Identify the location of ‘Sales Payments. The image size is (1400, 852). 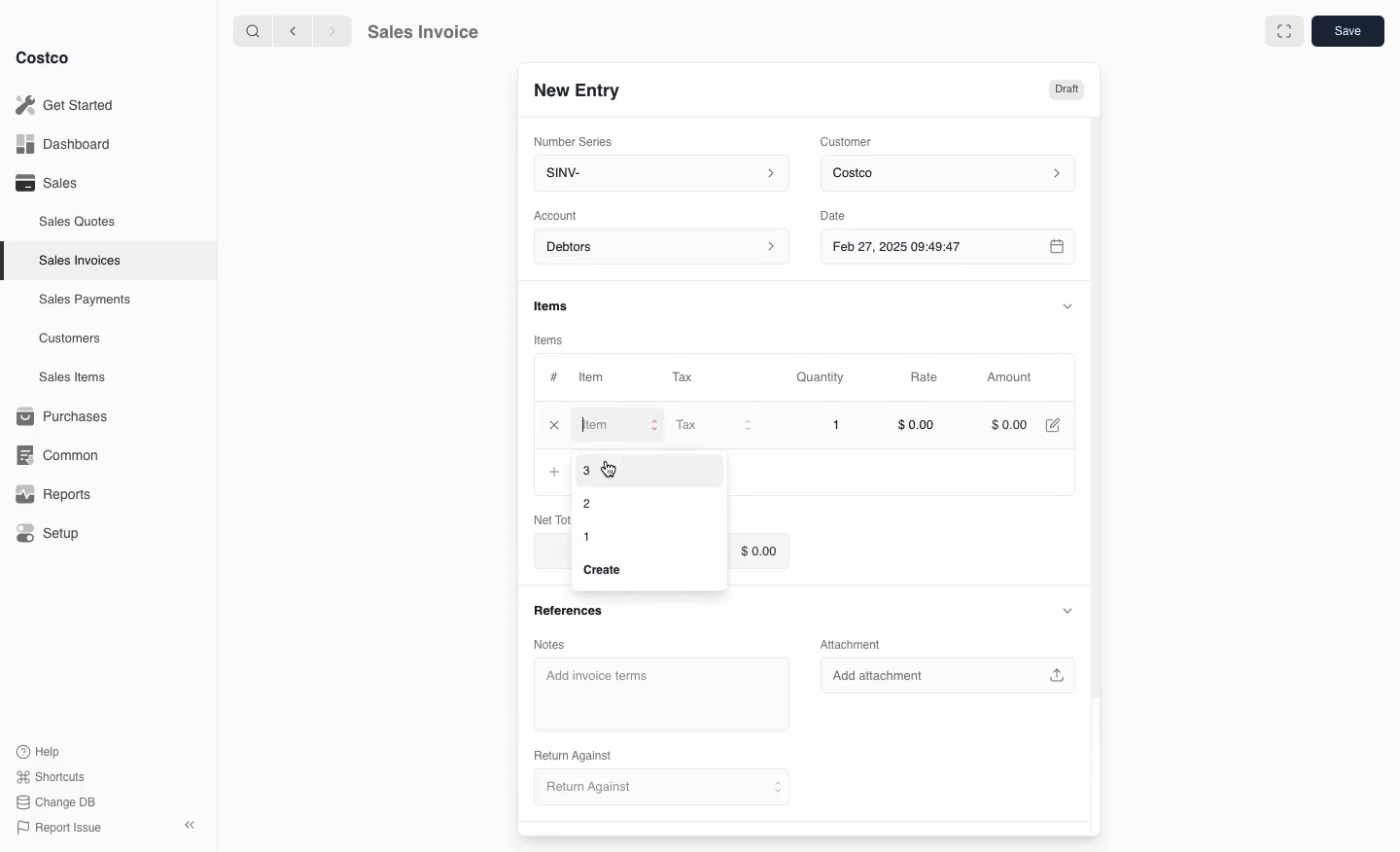
(85, 298).